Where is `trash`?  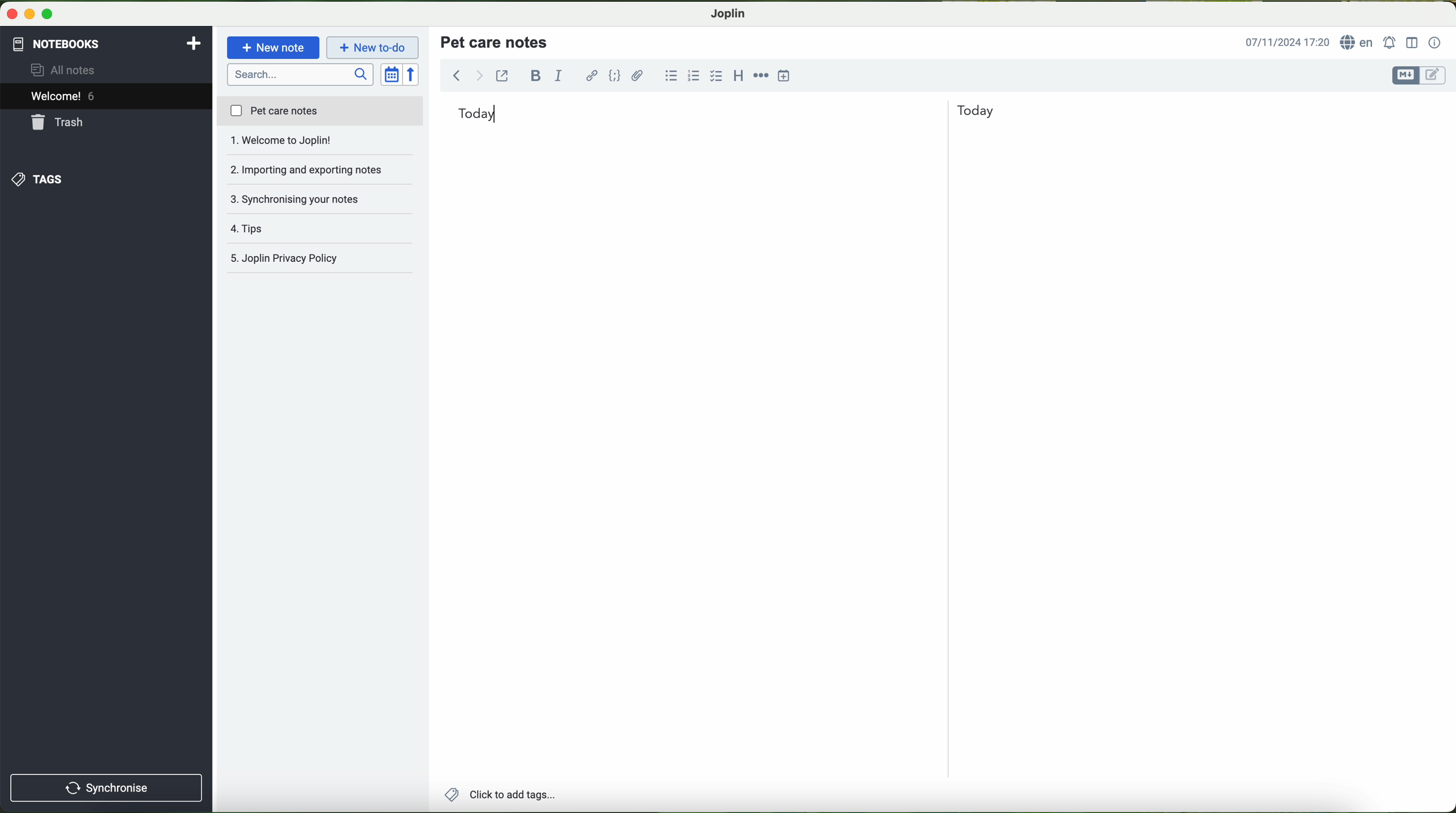
trash is located at coordinates (58, 124).